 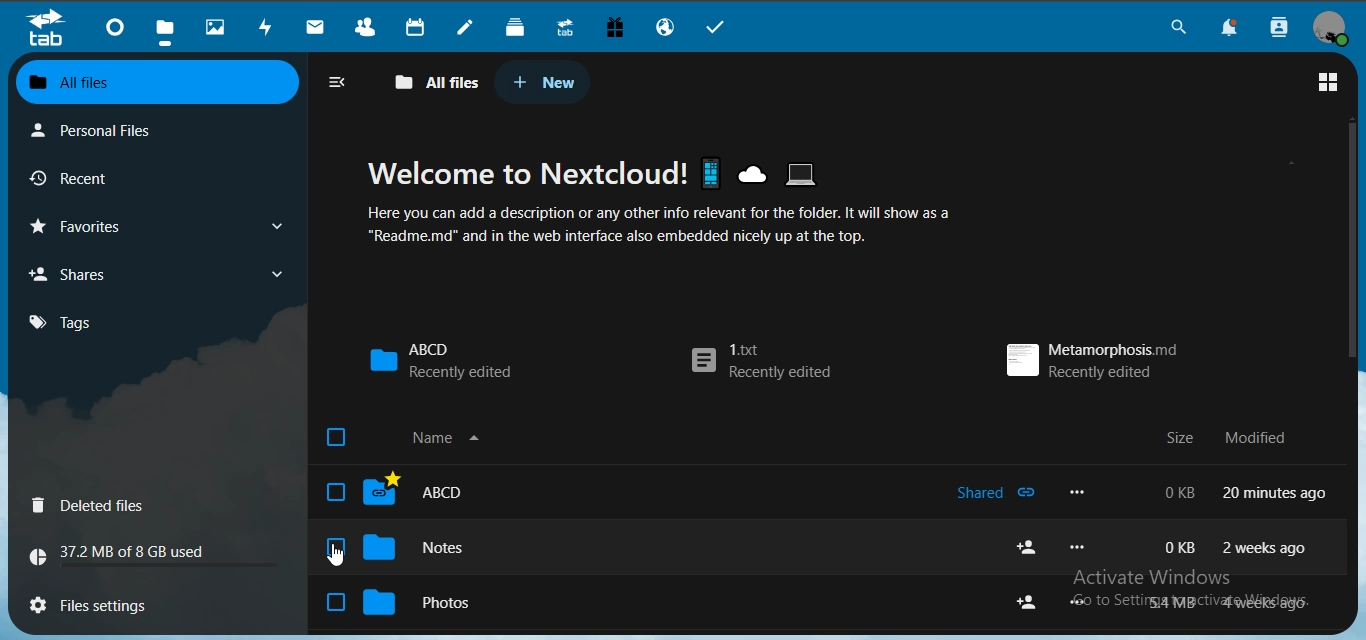 What do you see at coordinates (368, 25) in the screenshot?
I see `contacts` at bounding box center [368, 25].